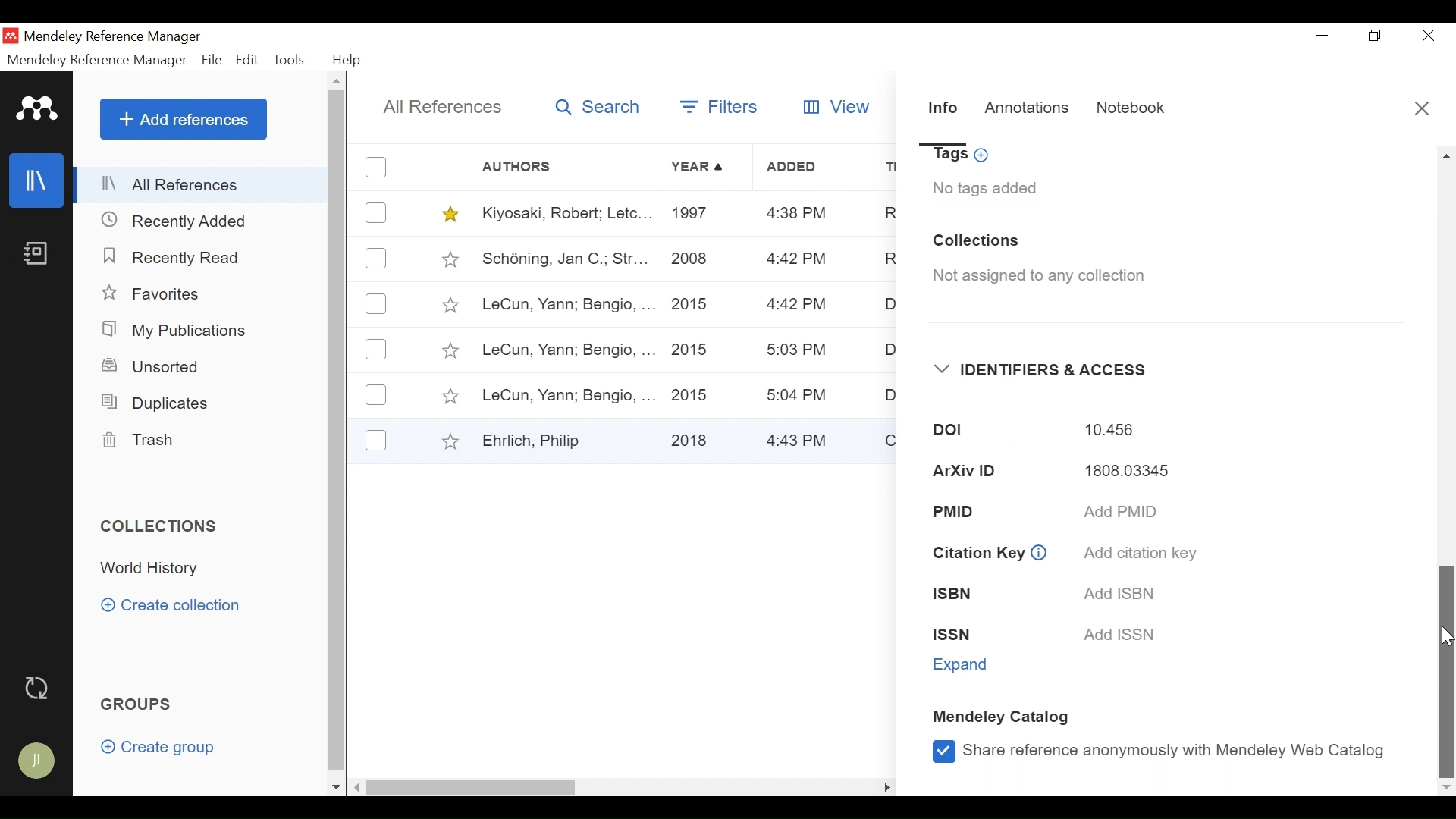 This screenshot has height=819, width=1456. I want to click on 5:04 PM, so click(799, 395).